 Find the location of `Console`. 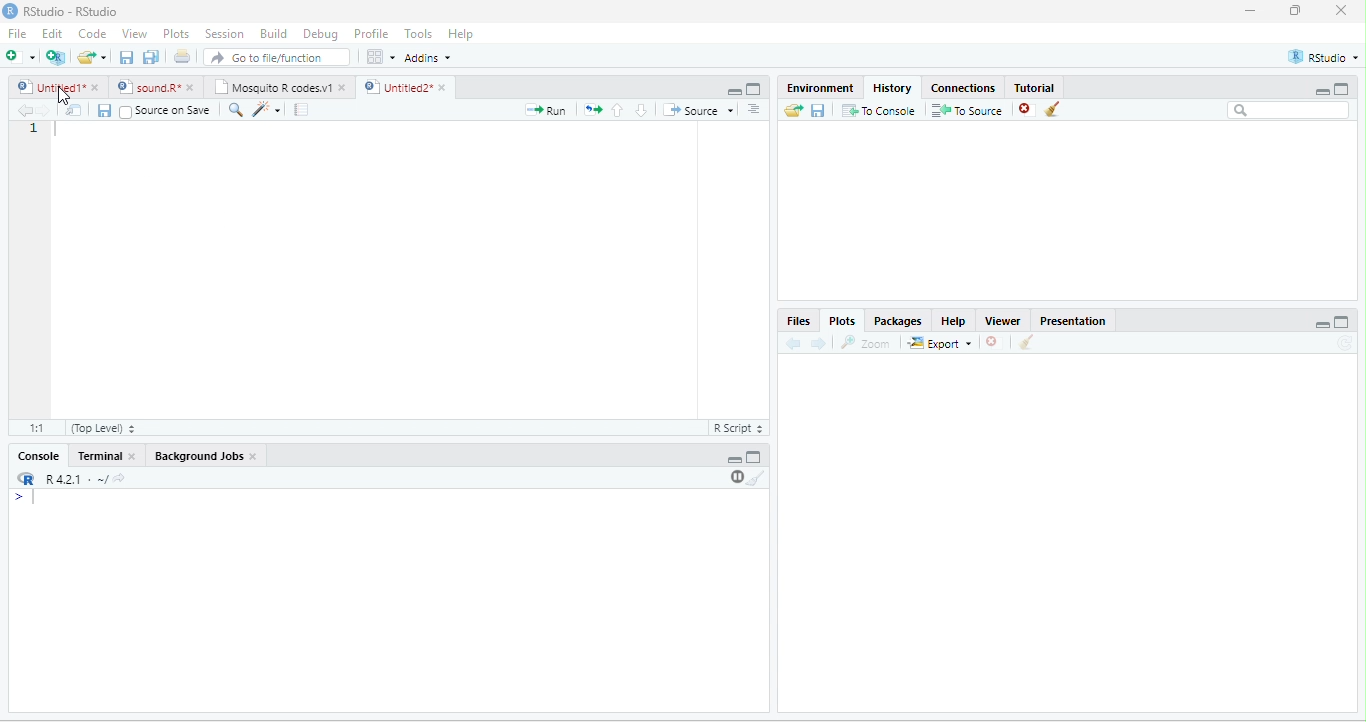

Console is located at coordinates (38, 455).